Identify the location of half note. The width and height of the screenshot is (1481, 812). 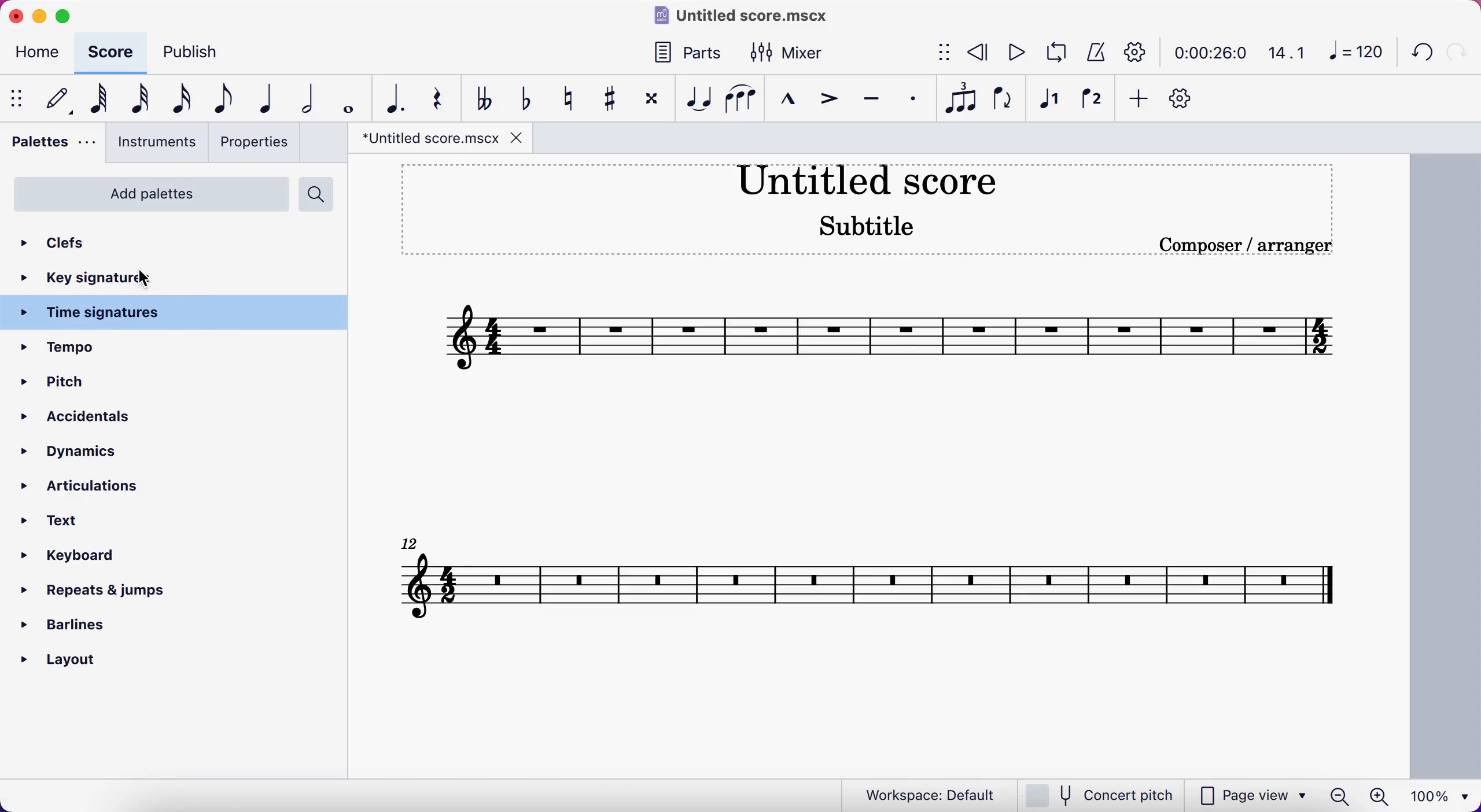
(311, 96).